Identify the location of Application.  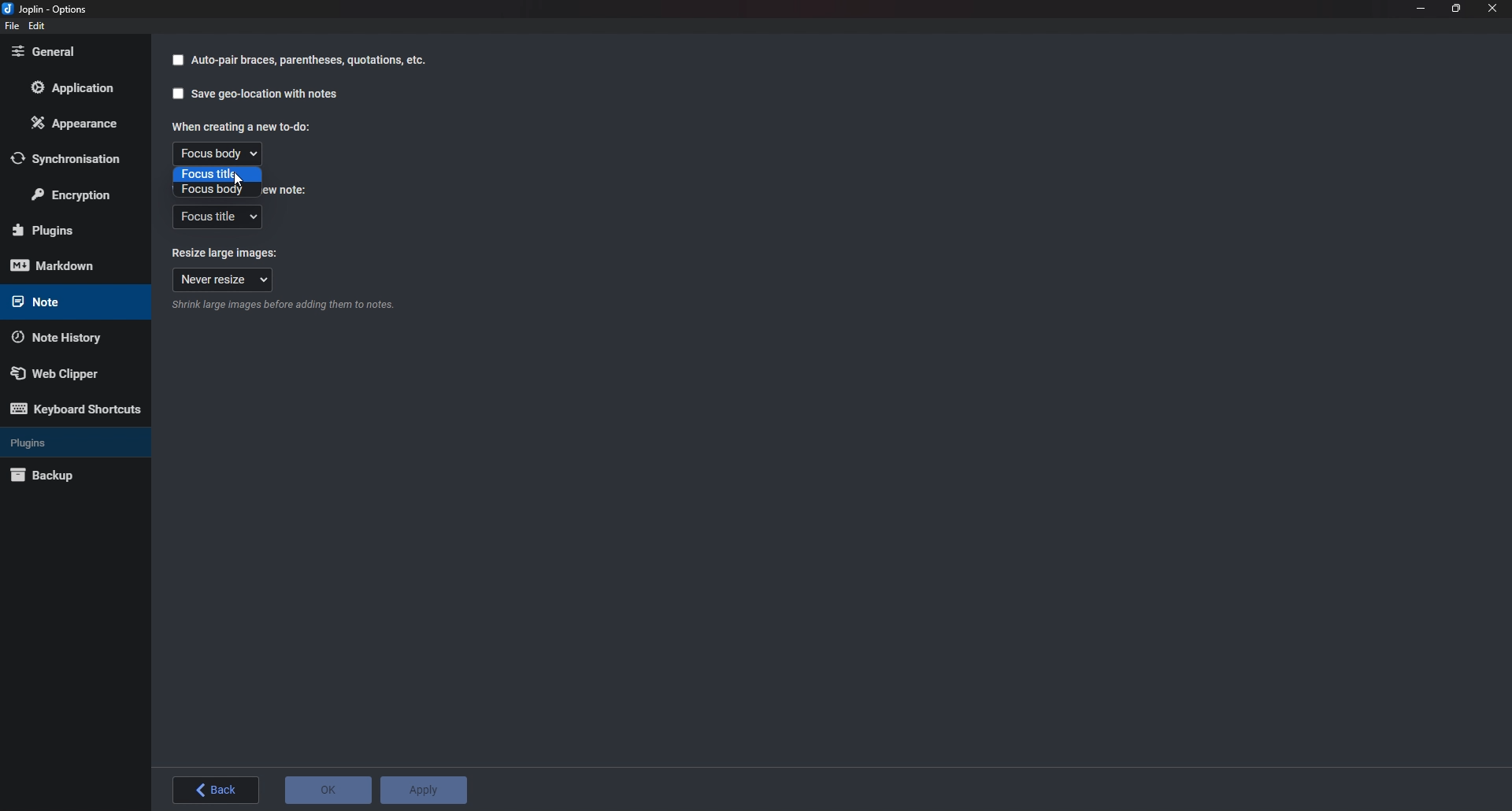
(80, 87).